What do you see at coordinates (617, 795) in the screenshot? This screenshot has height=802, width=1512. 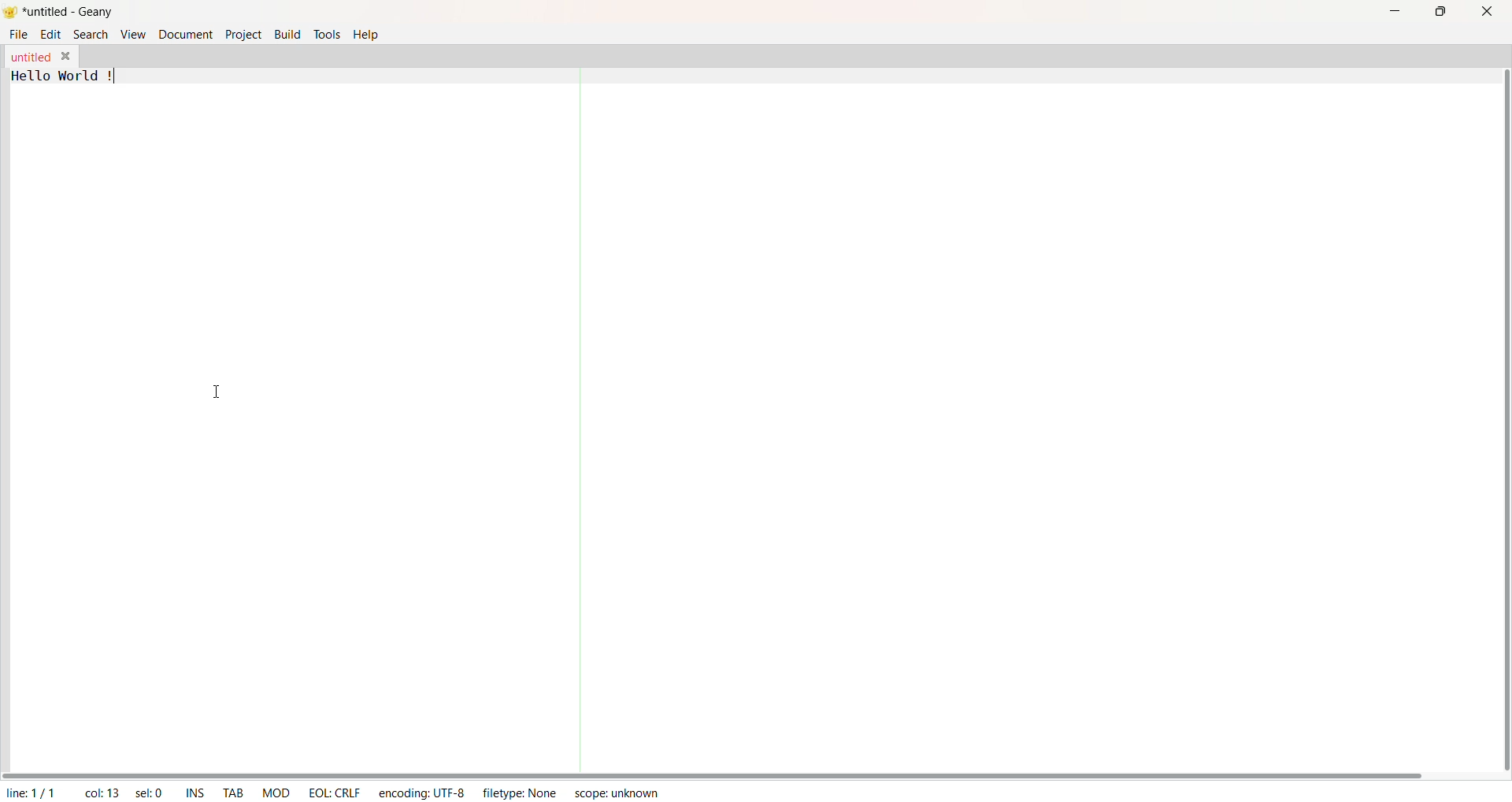 I see `Script Unknown` at bounding box center [617, 795].